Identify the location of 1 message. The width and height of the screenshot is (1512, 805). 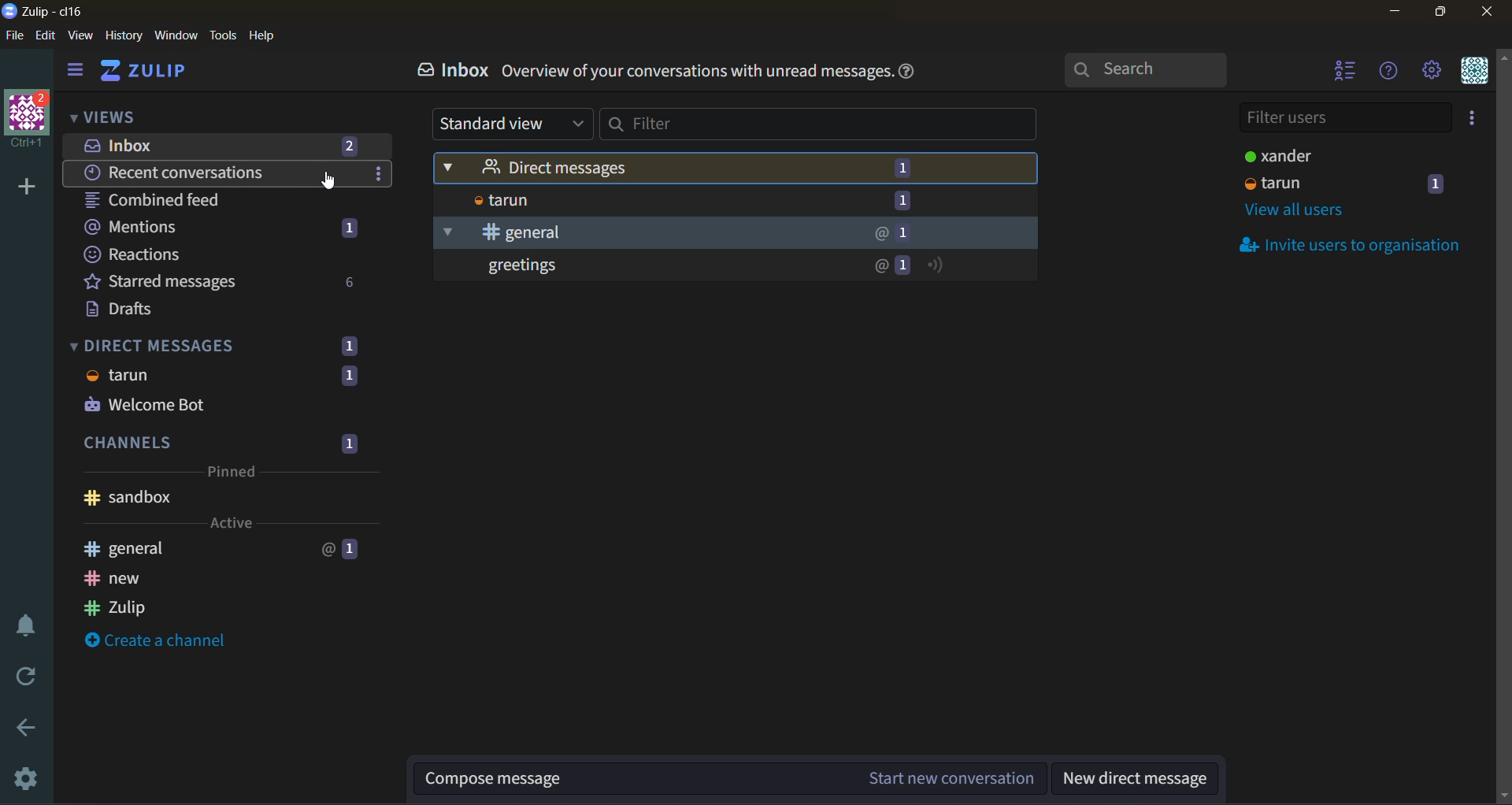
(902, 201).